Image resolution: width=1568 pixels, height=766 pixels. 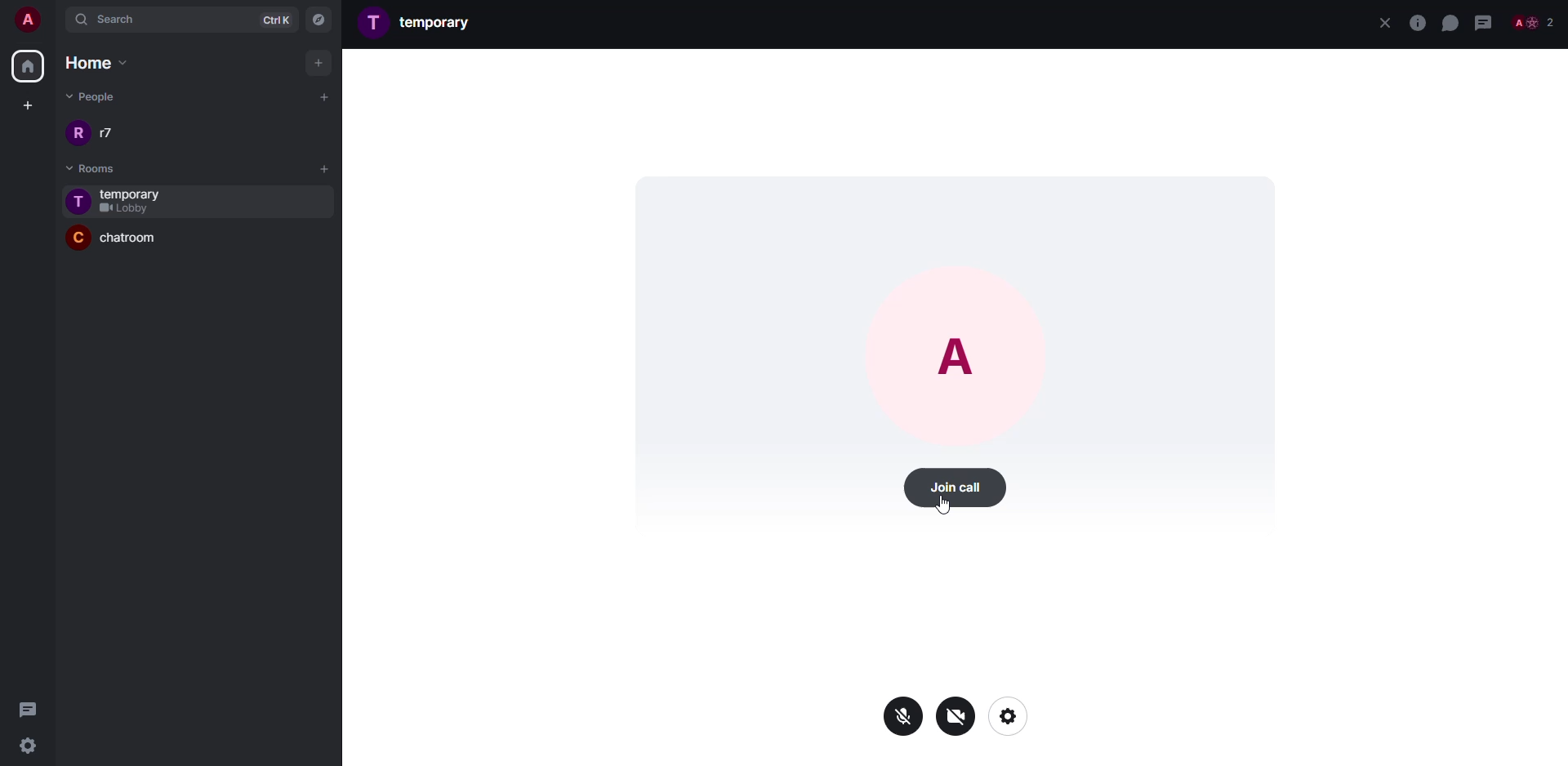 What do you see at coordinates (943, 506) in the screenshot?
I see `cursor` at bounding box center [943, 506].